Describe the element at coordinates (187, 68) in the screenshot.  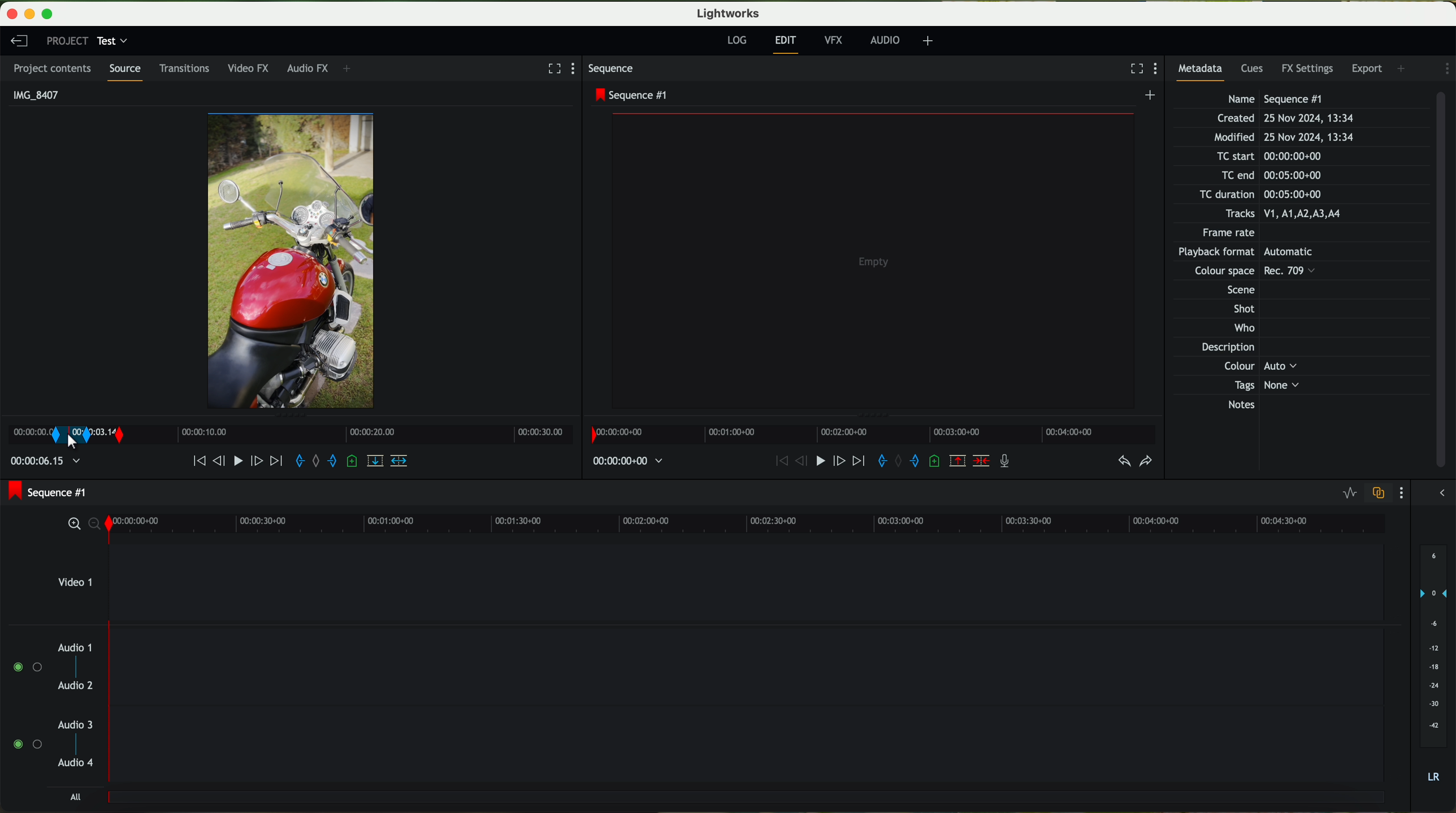
I see `transitions` at that location.